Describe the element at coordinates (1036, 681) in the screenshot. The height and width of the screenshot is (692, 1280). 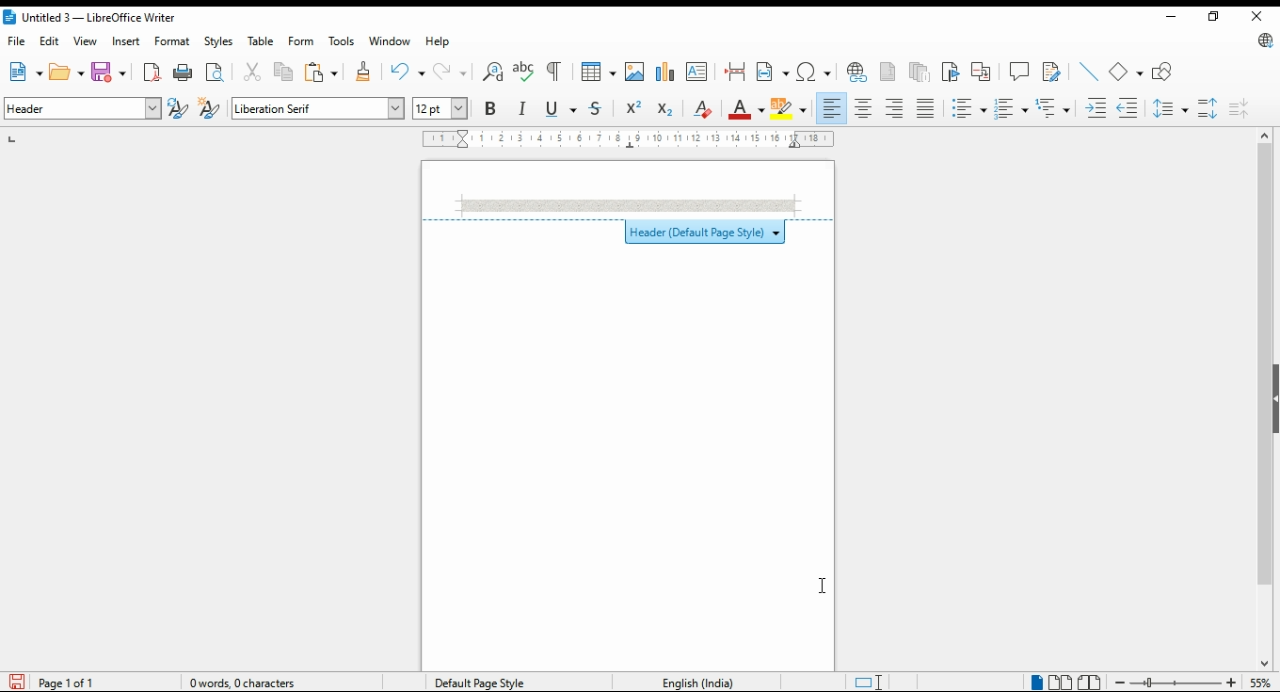
I see `single page view` at that location.